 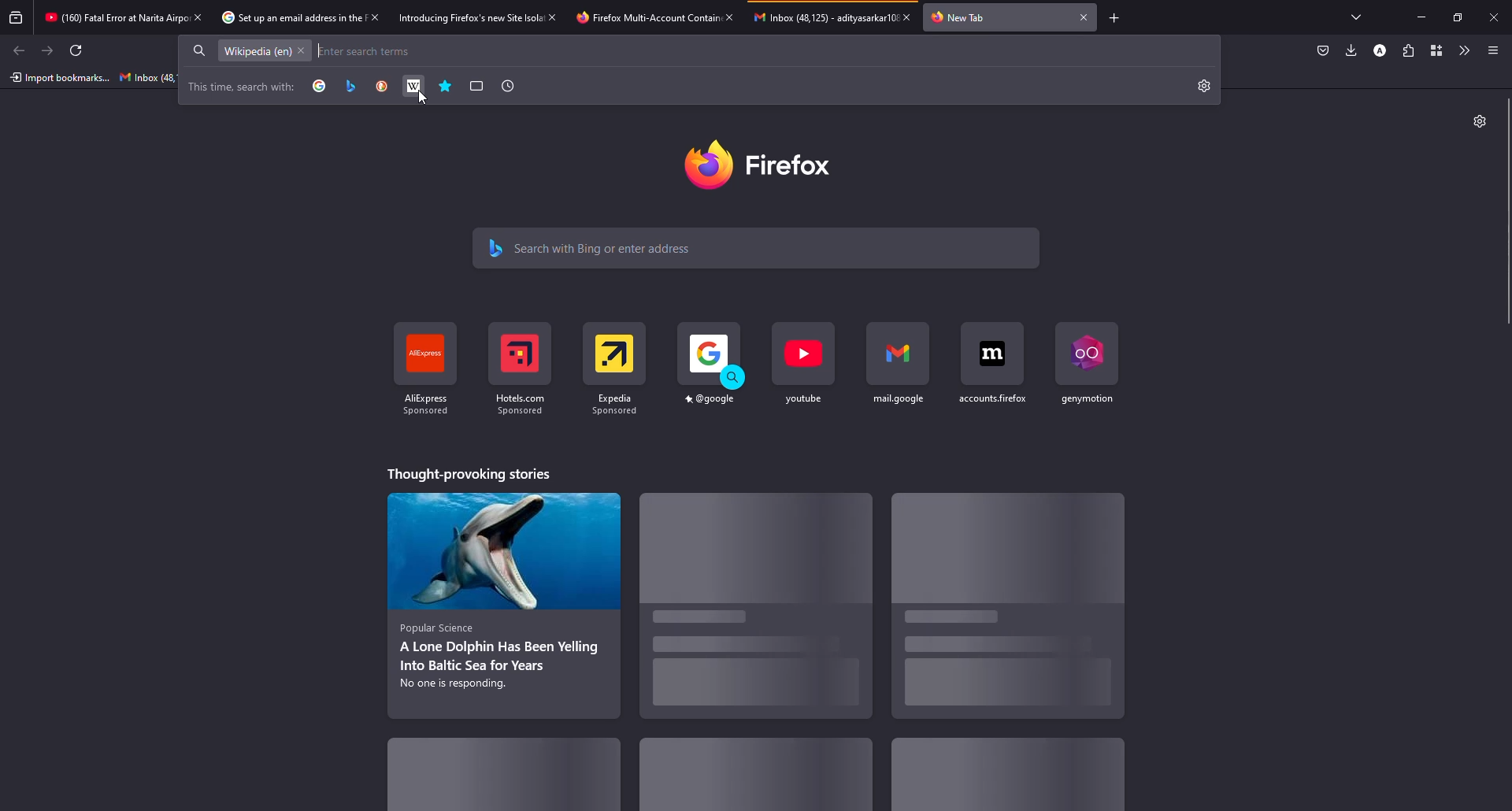 I want to click on refresh, so click(x=74, y=50).